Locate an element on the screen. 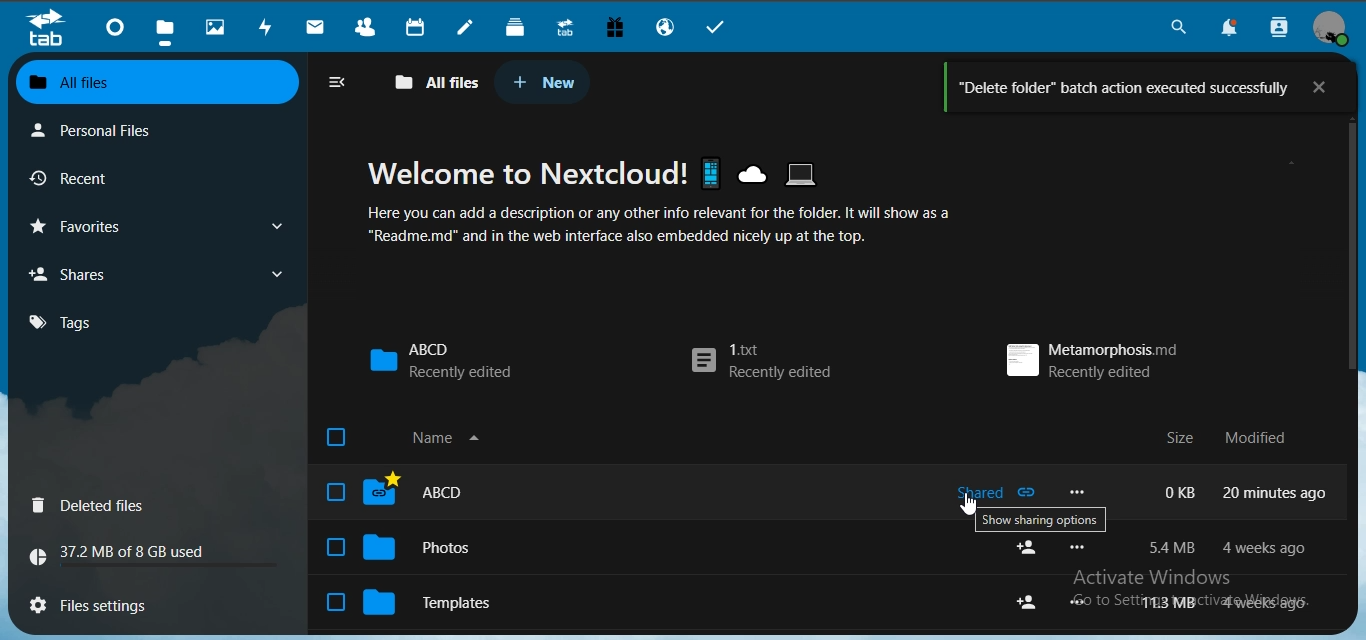 This screenshot has height=640, width=1366. “Delete folder” batch action executed successfully is located at coordinates (1106, 88).